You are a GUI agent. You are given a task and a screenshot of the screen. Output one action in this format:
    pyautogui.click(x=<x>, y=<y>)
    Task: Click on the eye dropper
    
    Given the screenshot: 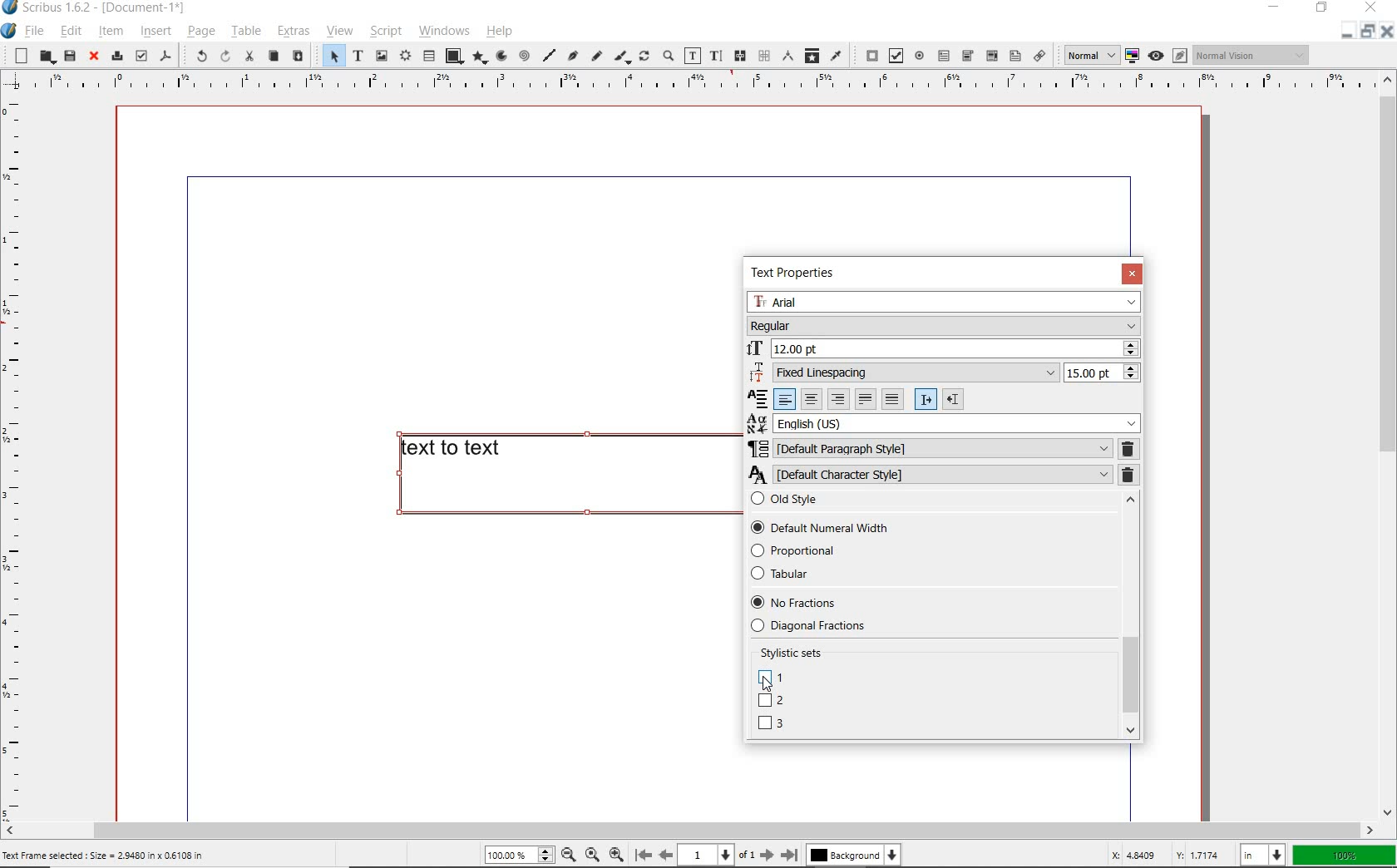 What is the action you would take?
    pyautogui.click(x=837, y=55)
    